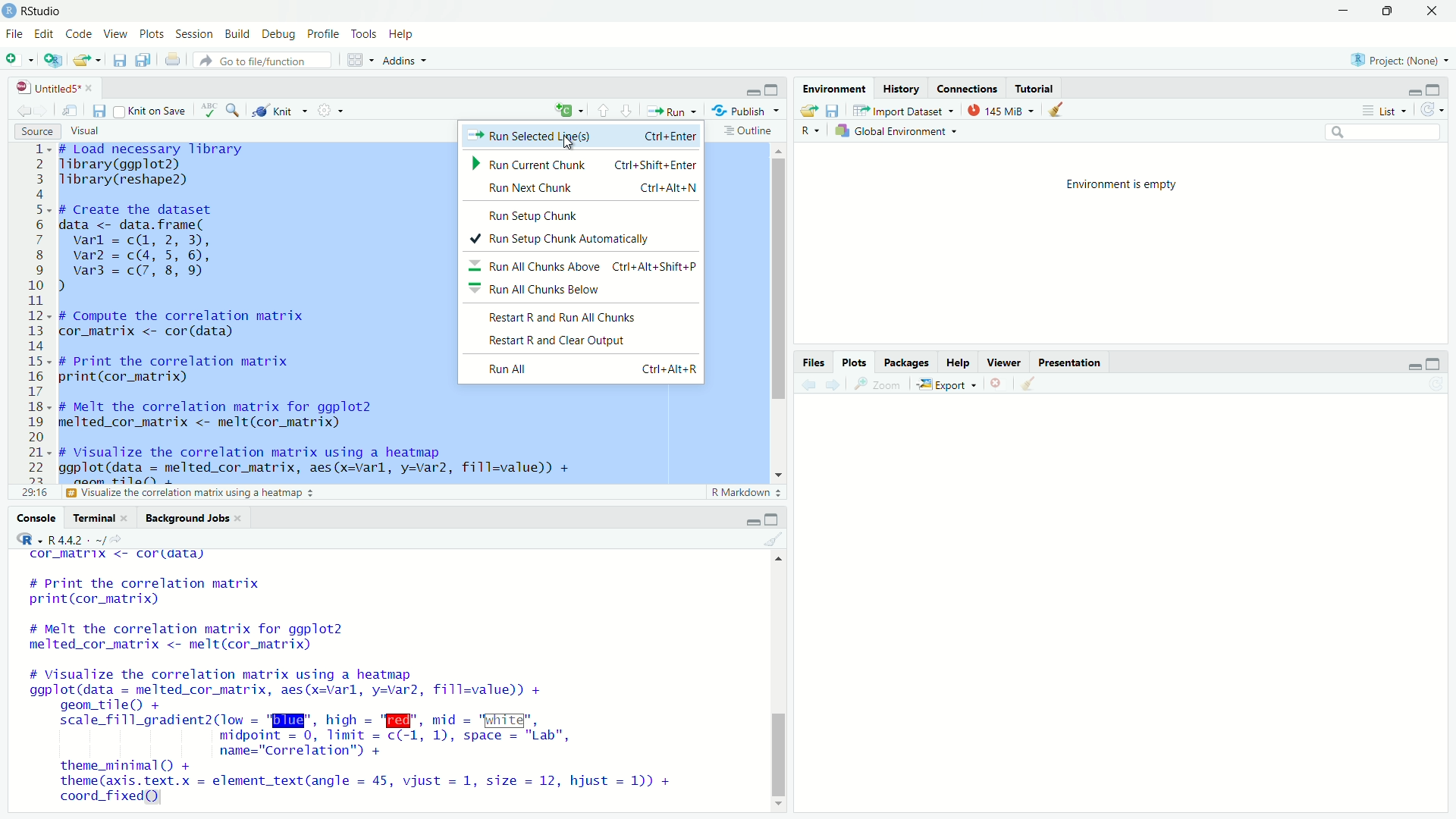 Image resolution: width=1456 pixels, height=819 pixels. I want to click on code, so click(80, 34).